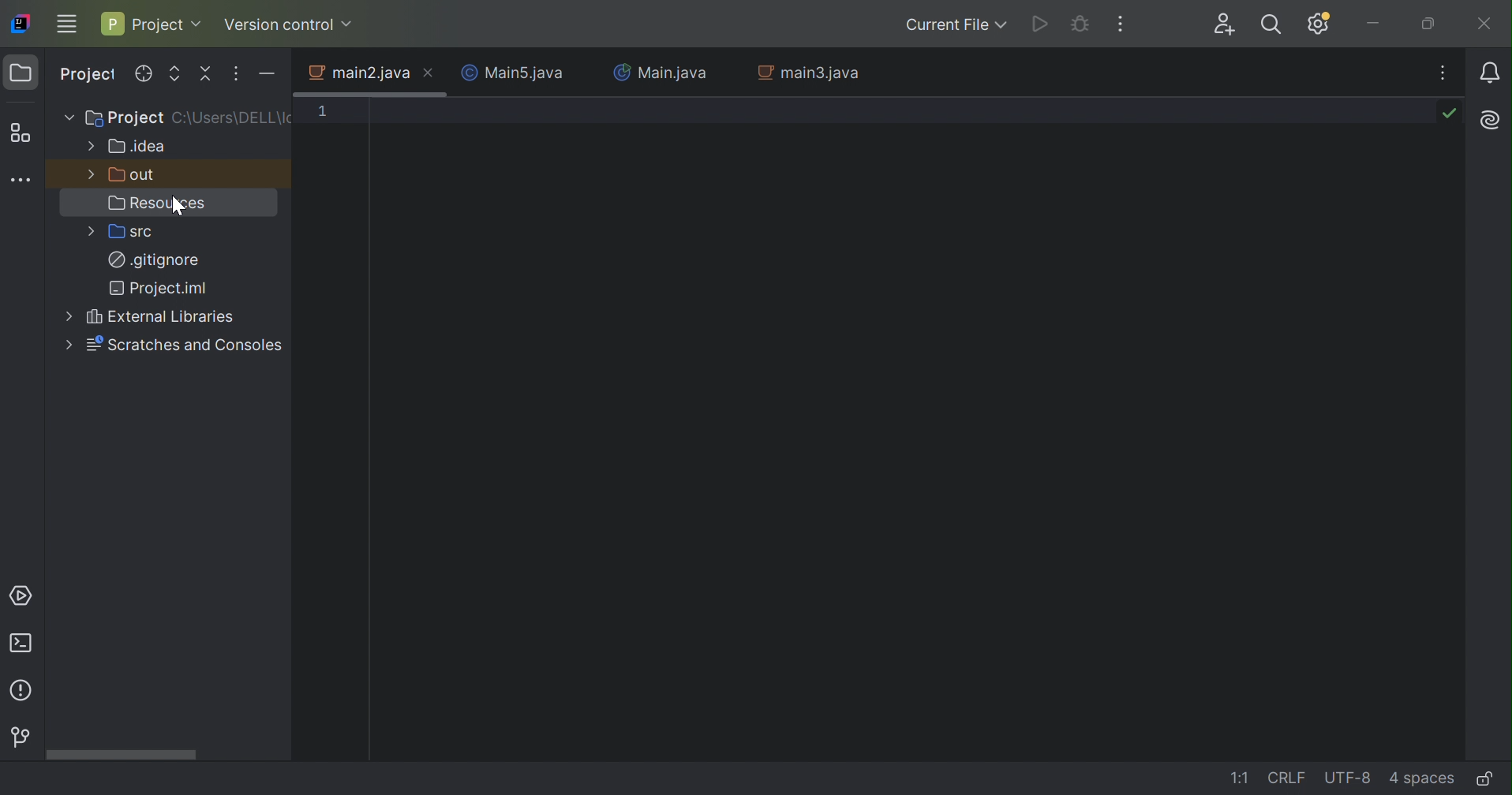 Image resolution: width=1512 pixels, height=795 pixels. What do you see at coordinates (358, 76) in the screenshot?
I see `main2,java` at bounding box center [358, 76].